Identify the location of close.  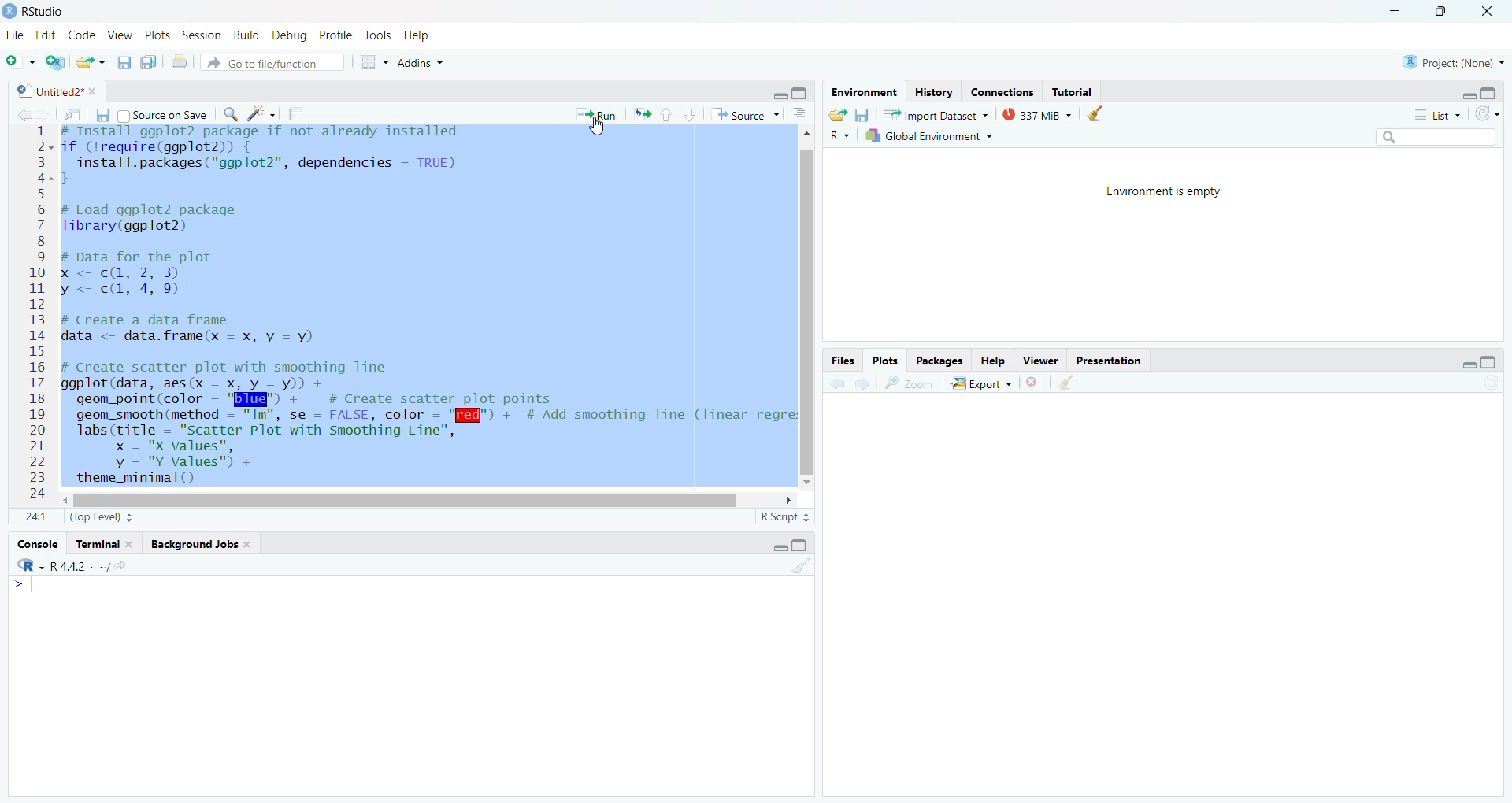
(1492, 12).